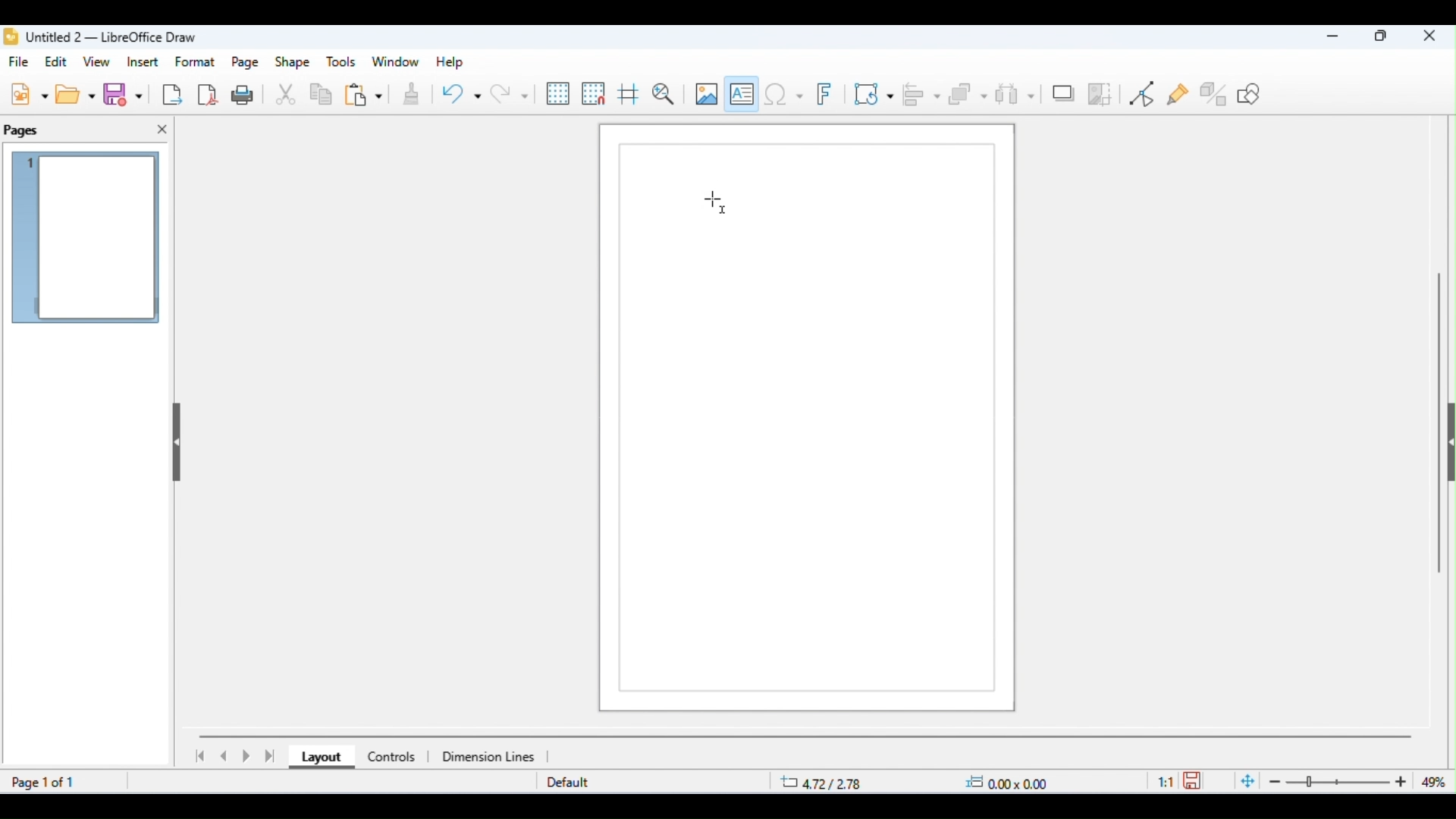 This screenshot has width=1456, height=819. I want to click on paste, so click(363, 96).